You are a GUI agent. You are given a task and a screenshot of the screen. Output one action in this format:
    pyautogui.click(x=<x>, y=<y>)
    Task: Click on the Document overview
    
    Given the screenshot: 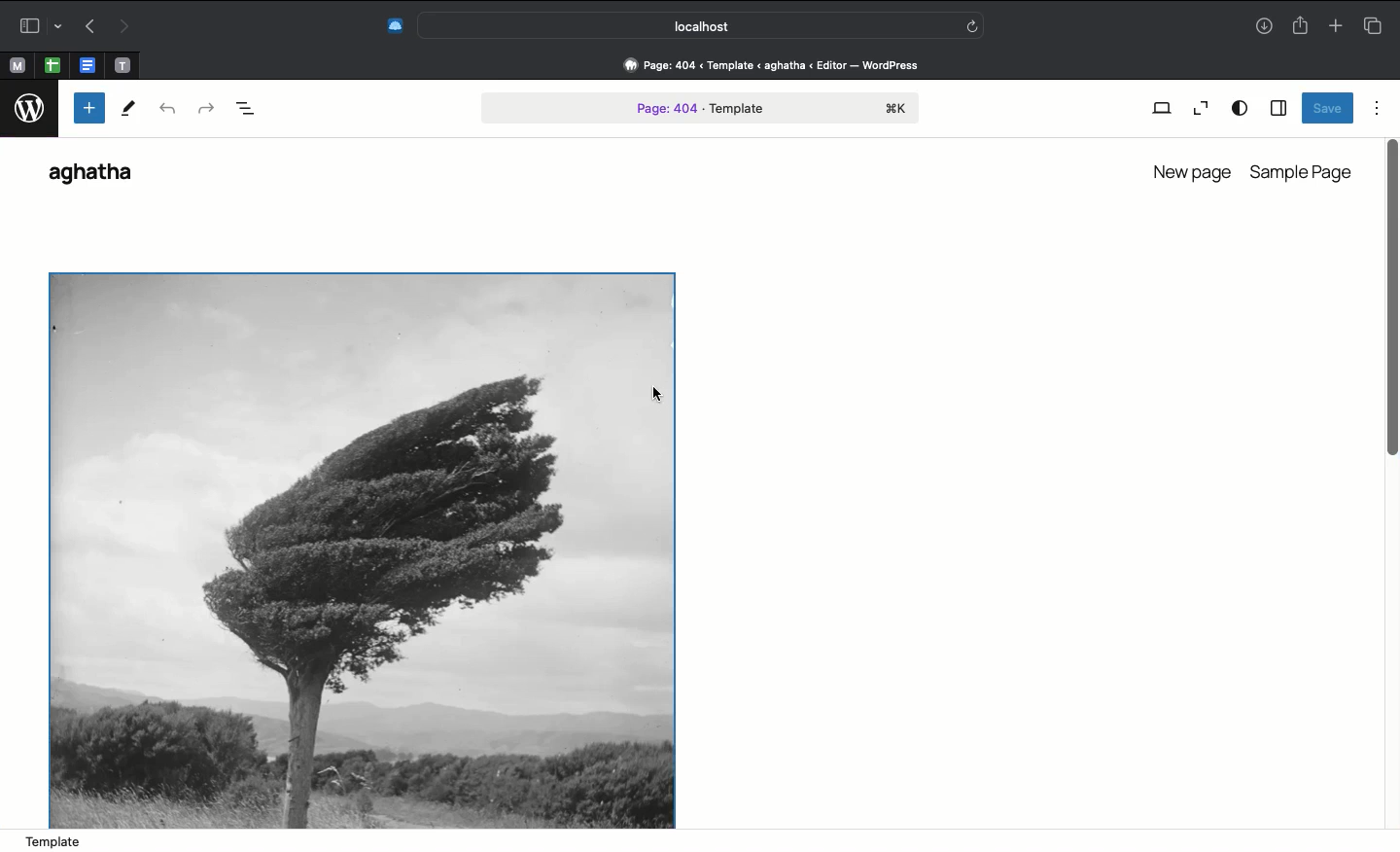 What is the action you would take?
    pyautogui.click(x=246, y=111)
    